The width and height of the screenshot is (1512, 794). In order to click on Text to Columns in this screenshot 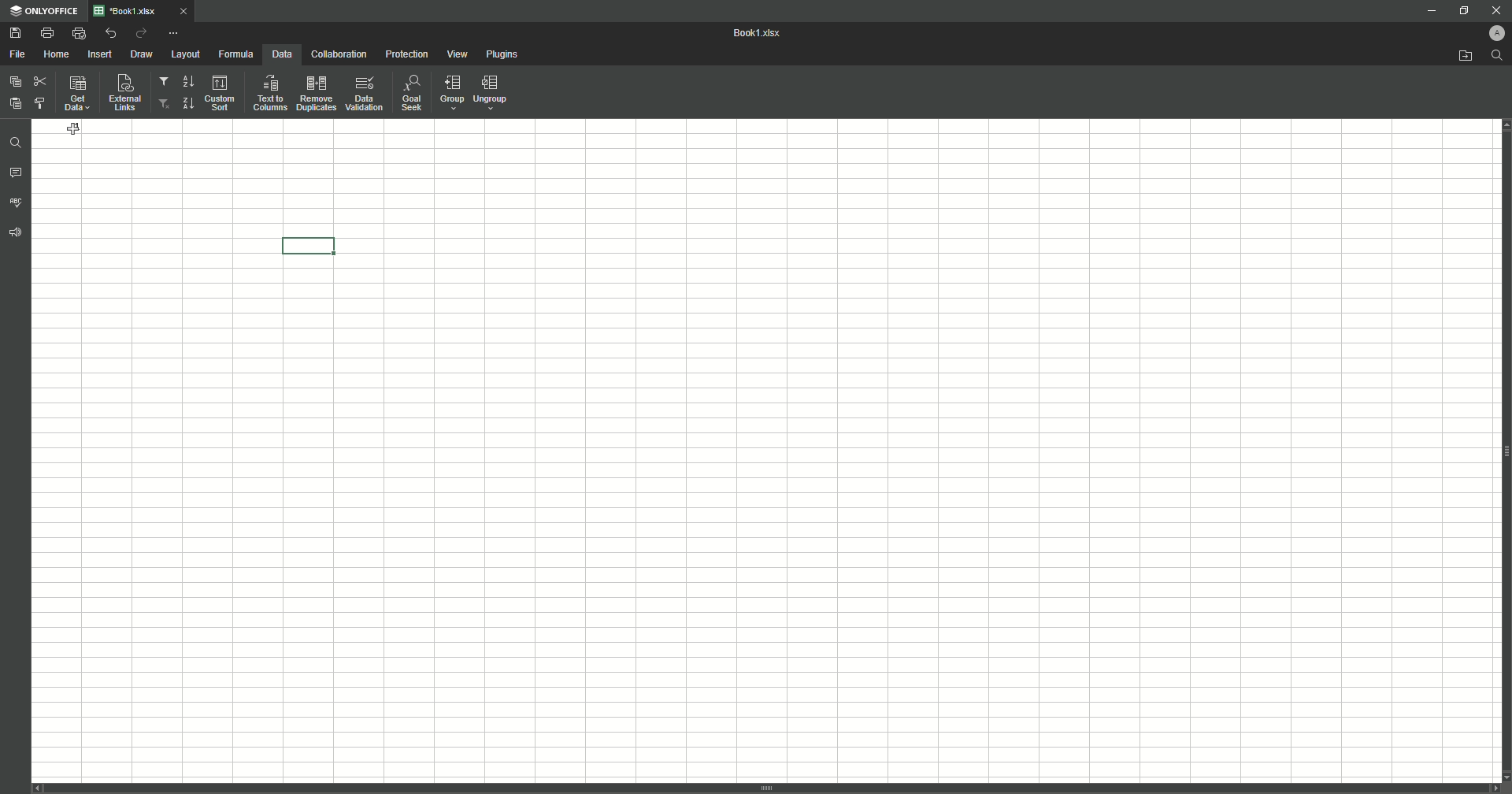, I will do `click(269, 93)`.